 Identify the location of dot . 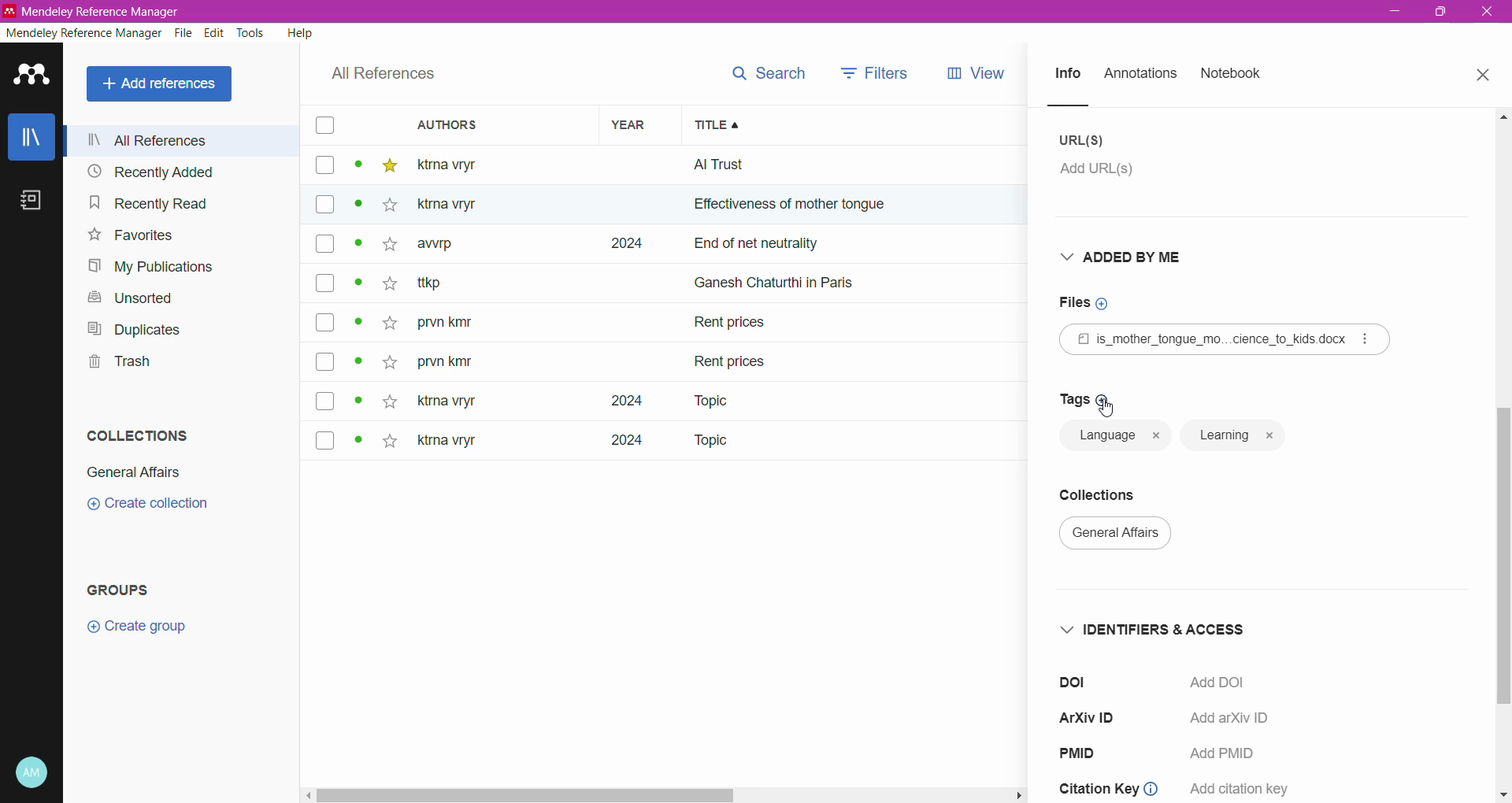
(358, 248).